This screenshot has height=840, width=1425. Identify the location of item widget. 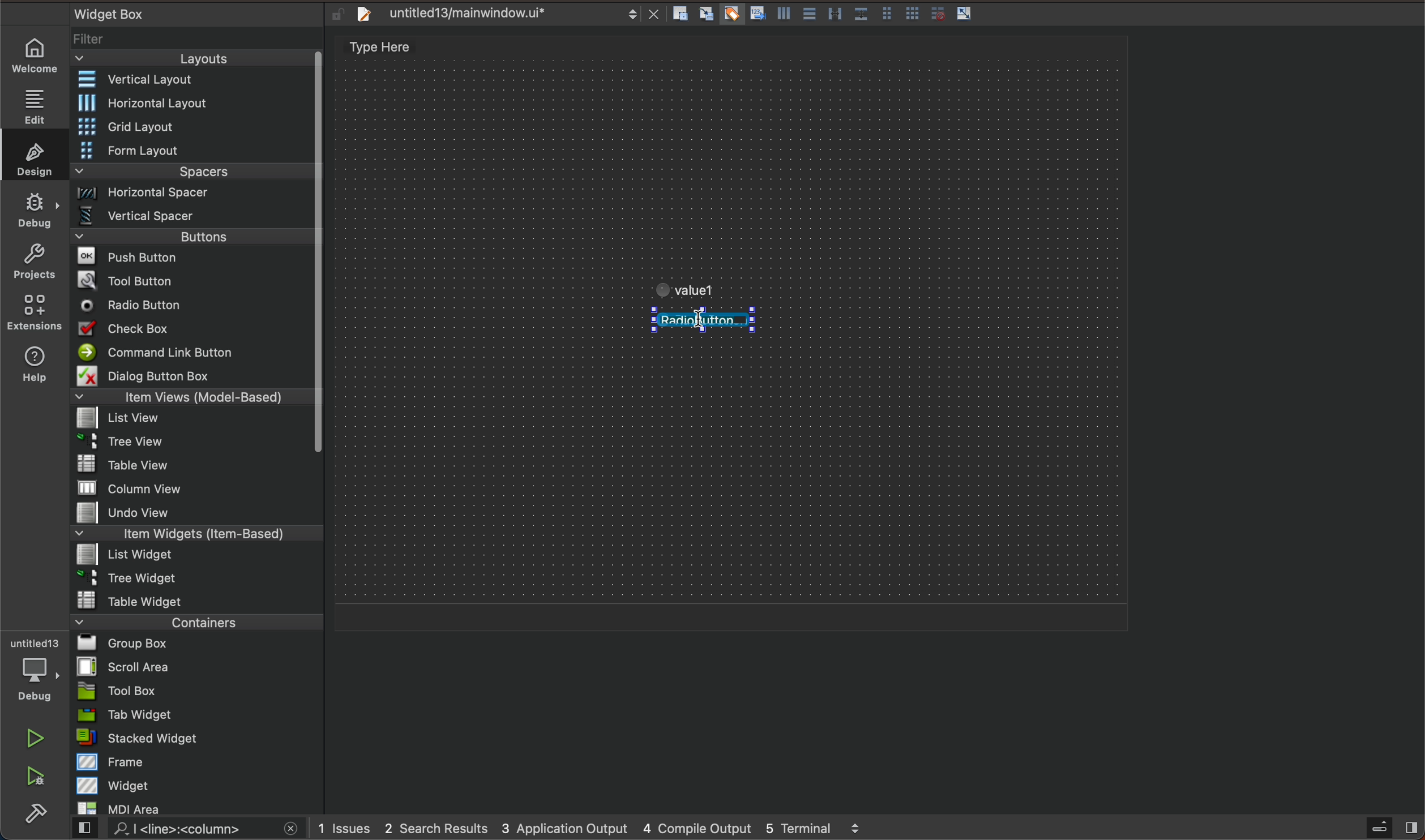
(194, 536).